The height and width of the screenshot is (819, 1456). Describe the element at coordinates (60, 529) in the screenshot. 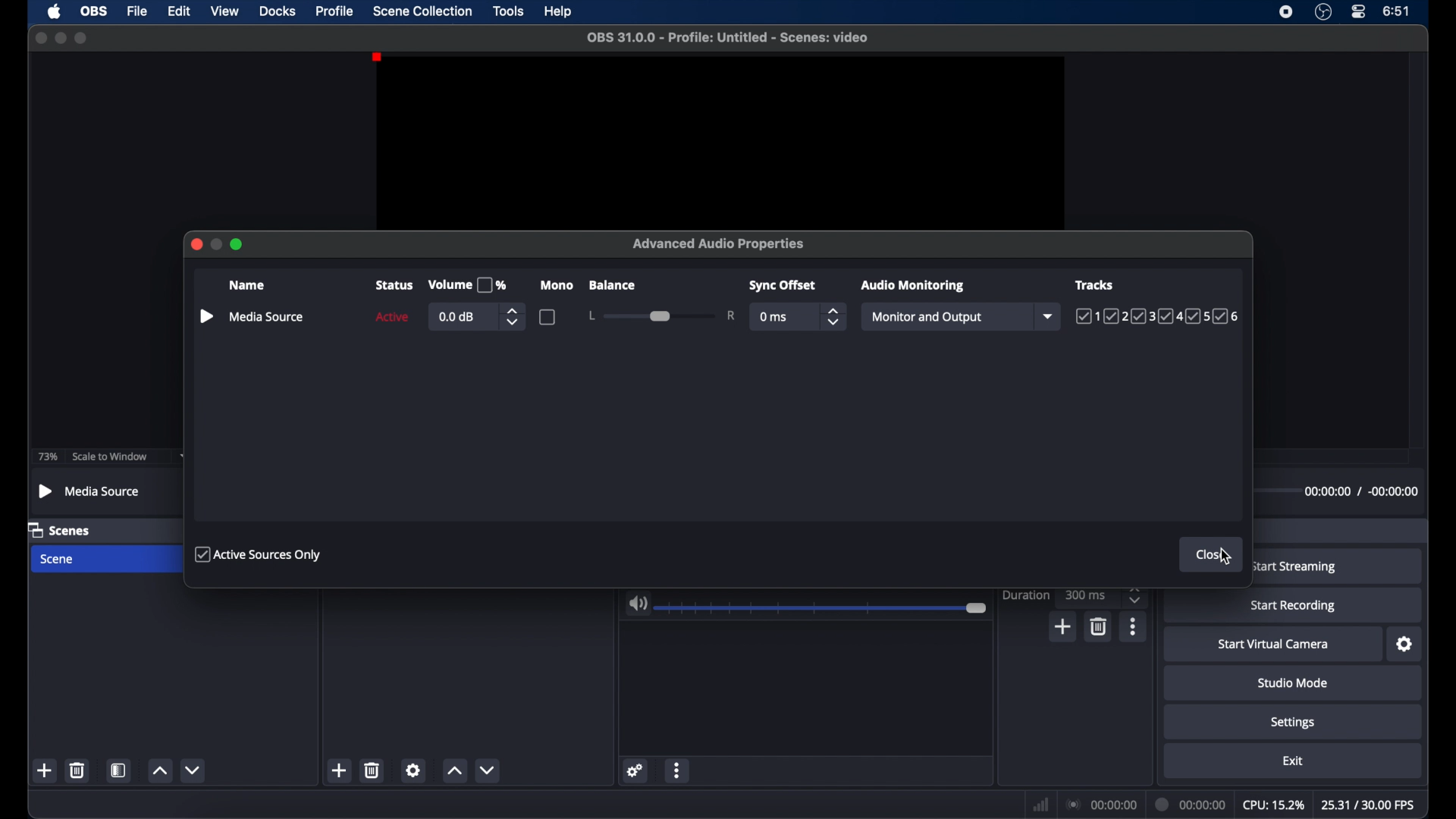

I see `scenes` at that location.